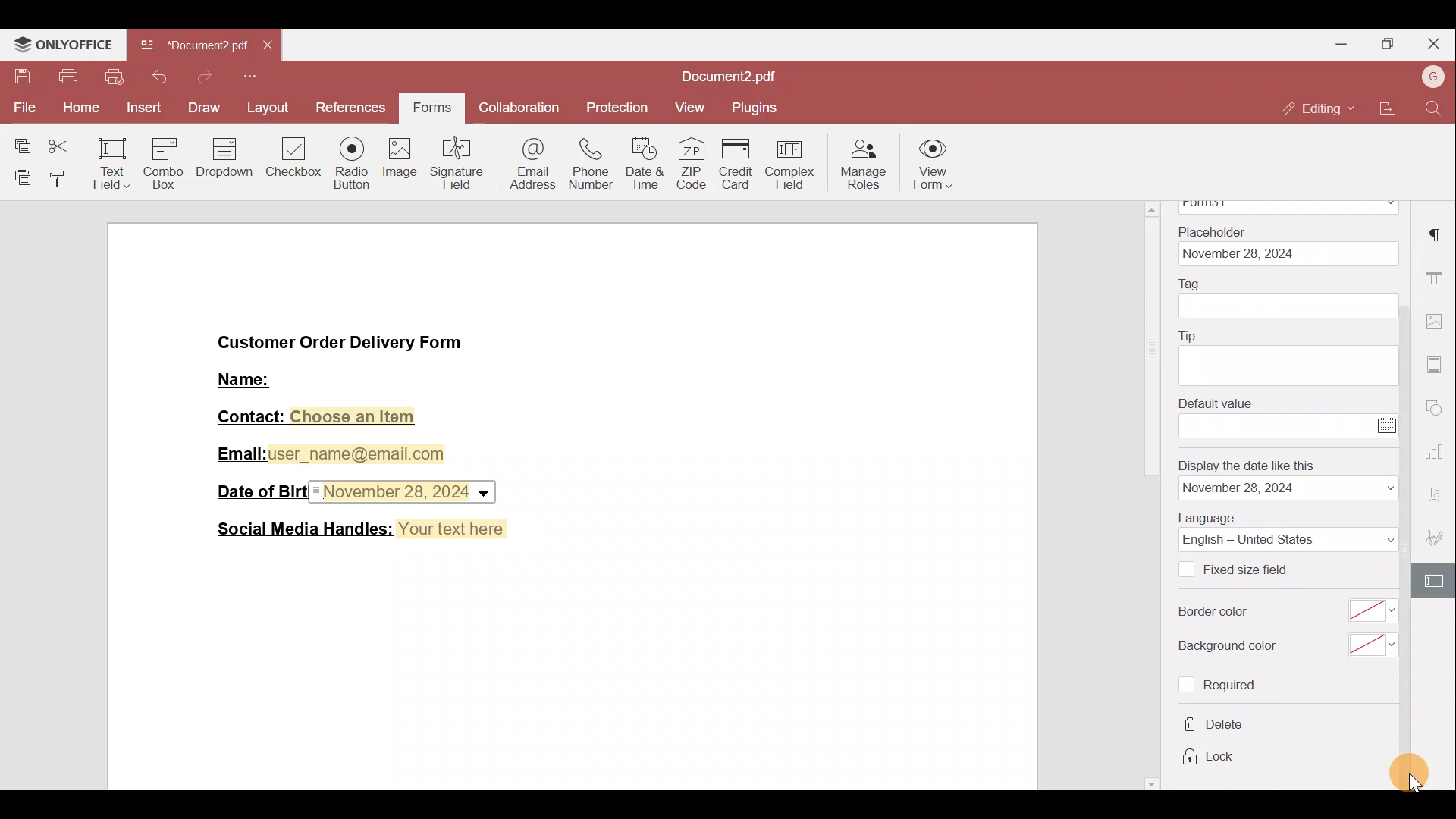  I want to click on Image, so click(400, 163).